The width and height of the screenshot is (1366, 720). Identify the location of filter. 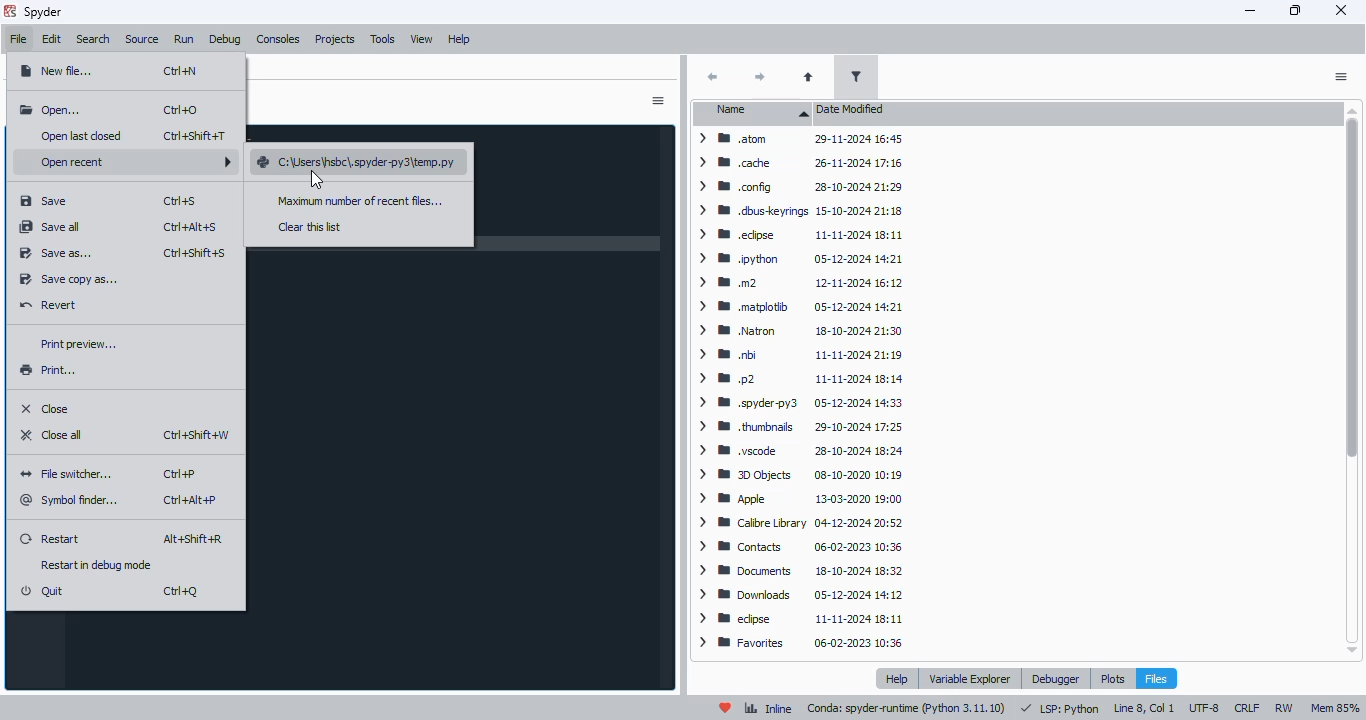
(857, 76).